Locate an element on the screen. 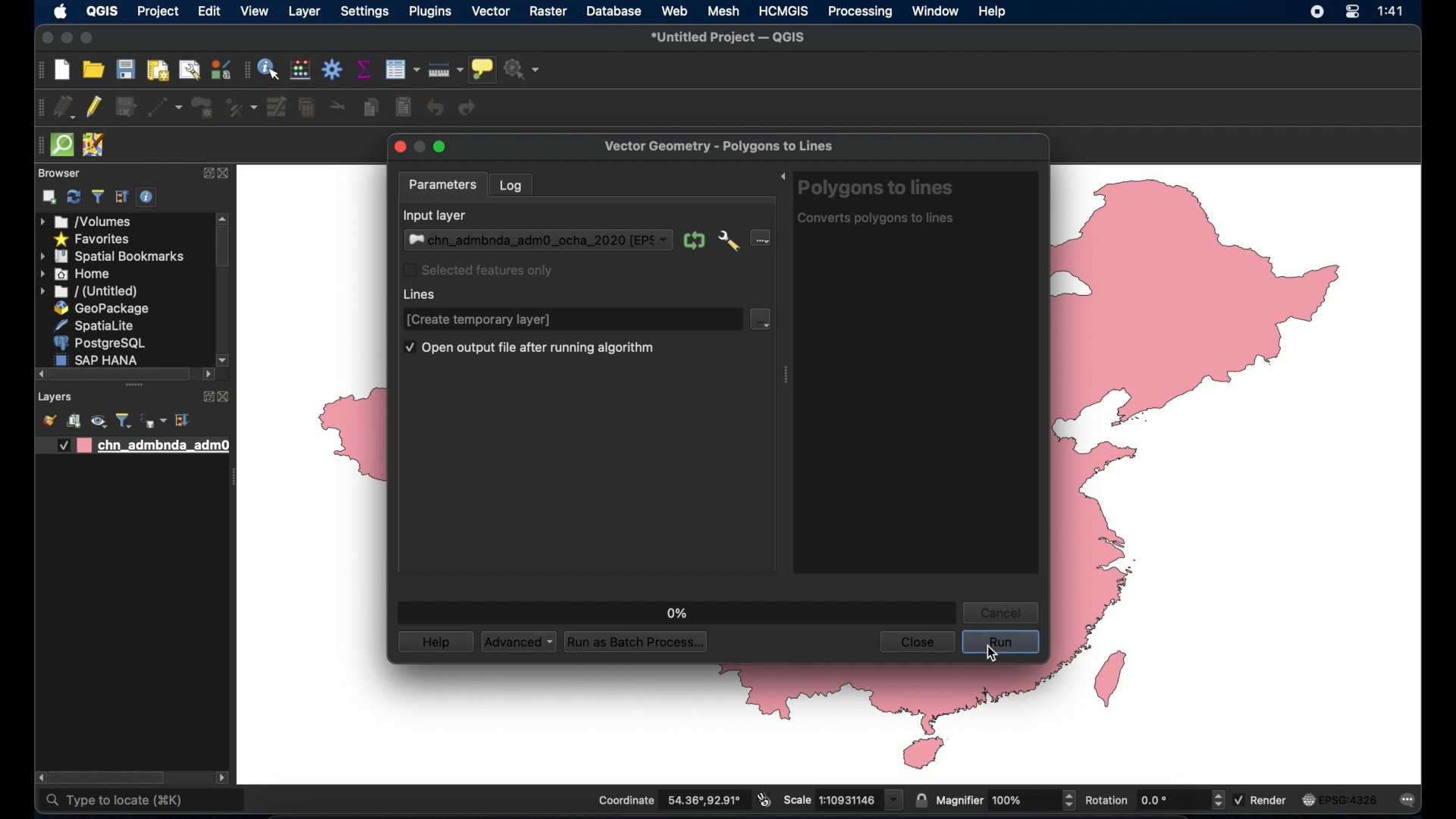 This screenshot has height=819, width=1456. window is located at coordinates (935, 11).